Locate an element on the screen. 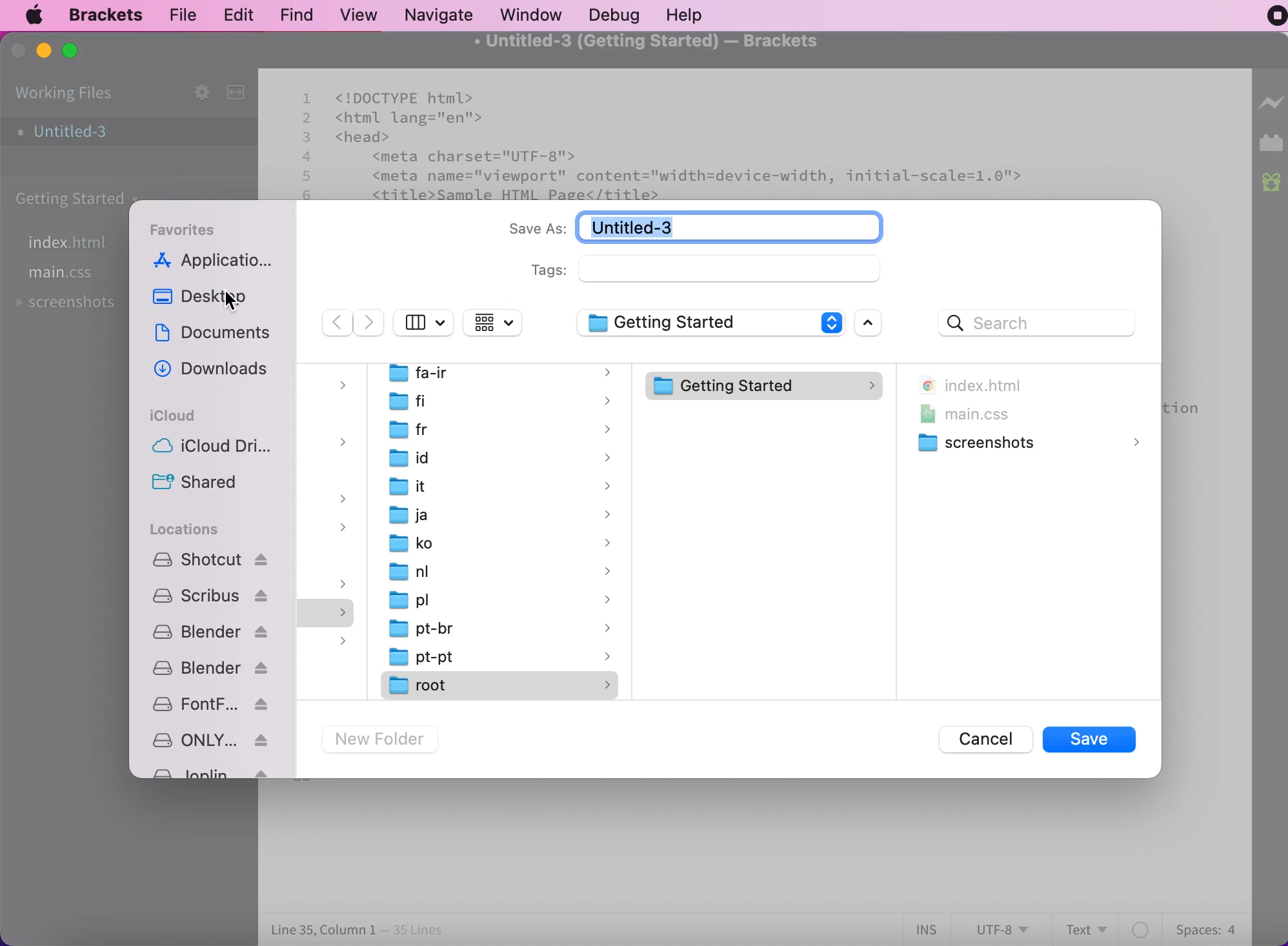 This screenshot has height=946, width=1288. fr is located at coordinates (499, 428).